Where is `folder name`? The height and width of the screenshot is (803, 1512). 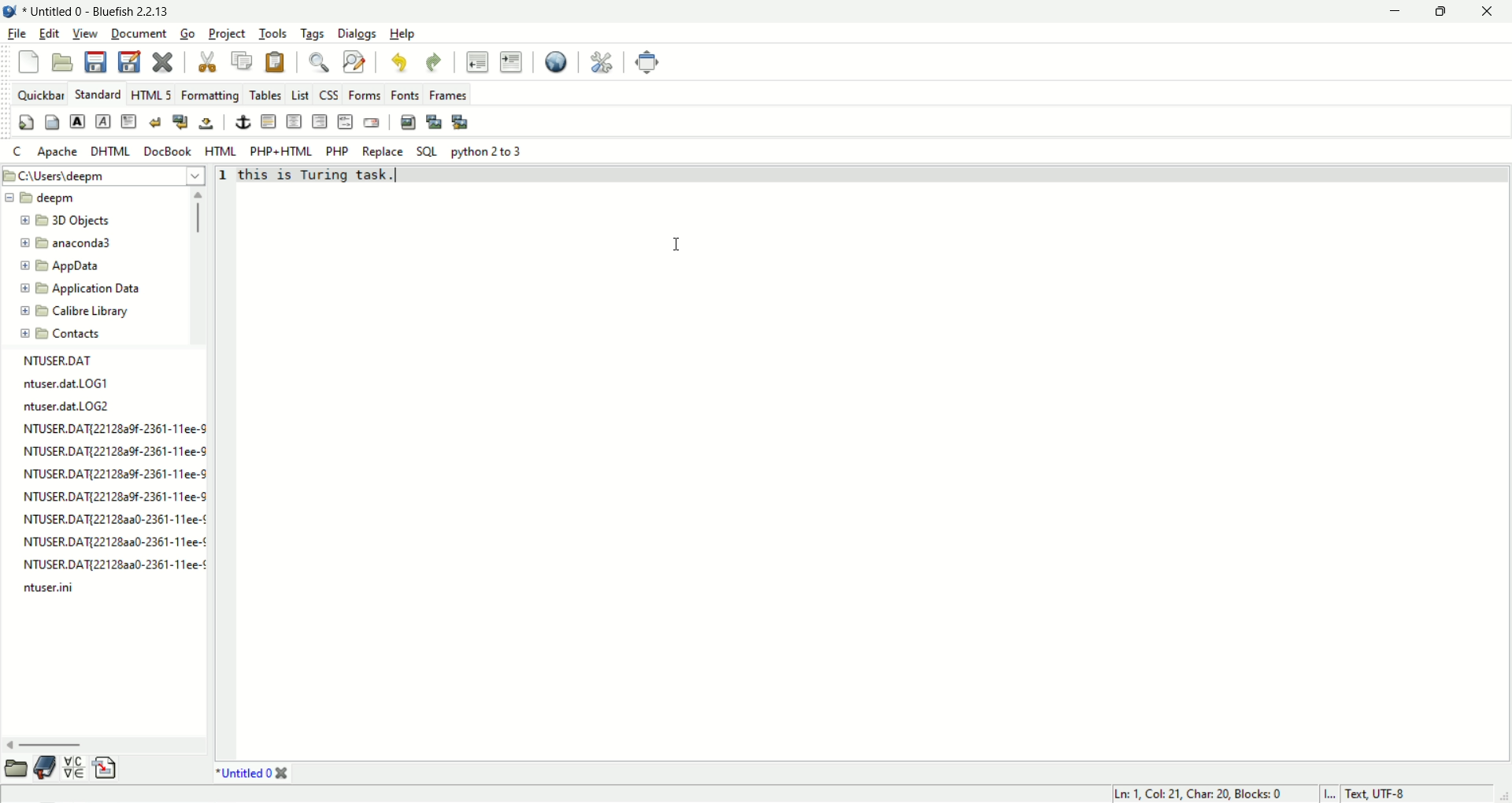
folder name is located at coordinates (72, 222).